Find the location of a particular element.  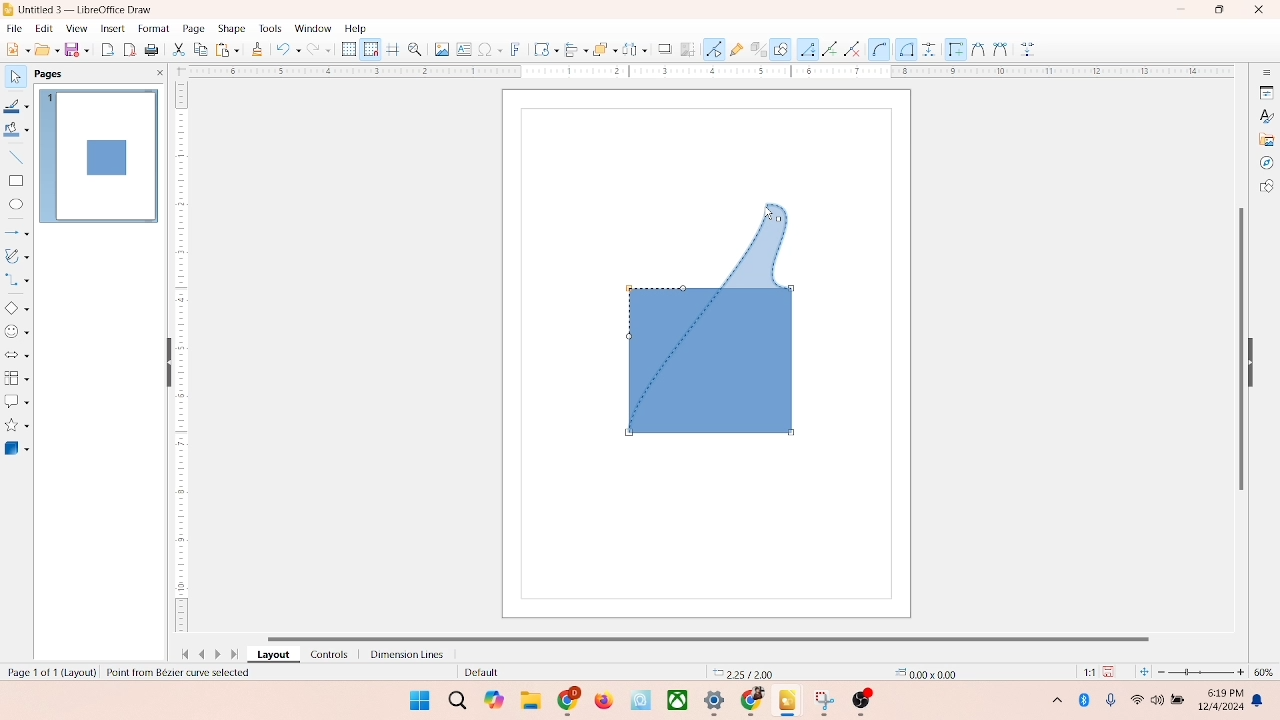

shape is located at coordinates (231, 28).